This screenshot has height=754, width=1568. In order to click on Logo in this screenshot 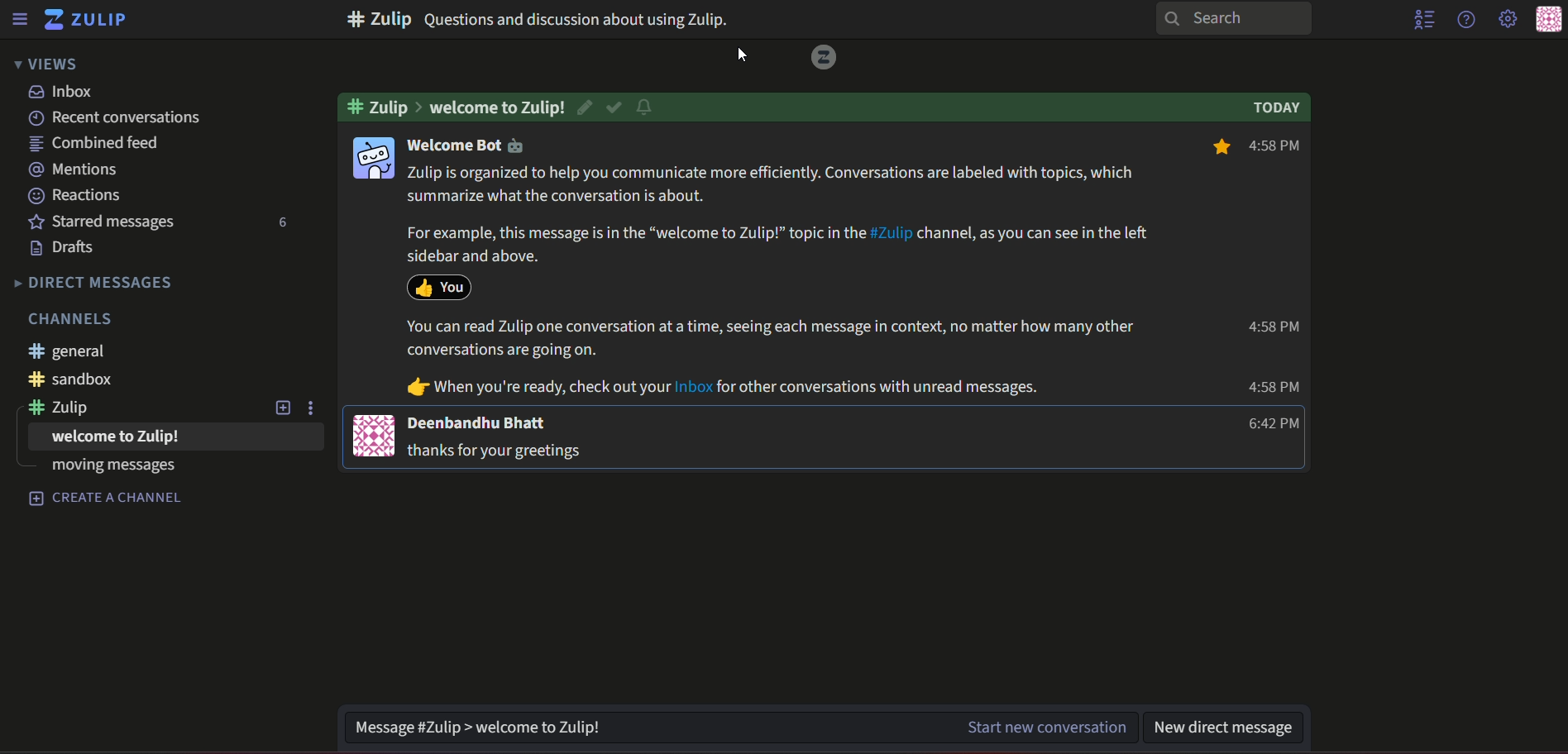, I will do `click(825, 59)`.